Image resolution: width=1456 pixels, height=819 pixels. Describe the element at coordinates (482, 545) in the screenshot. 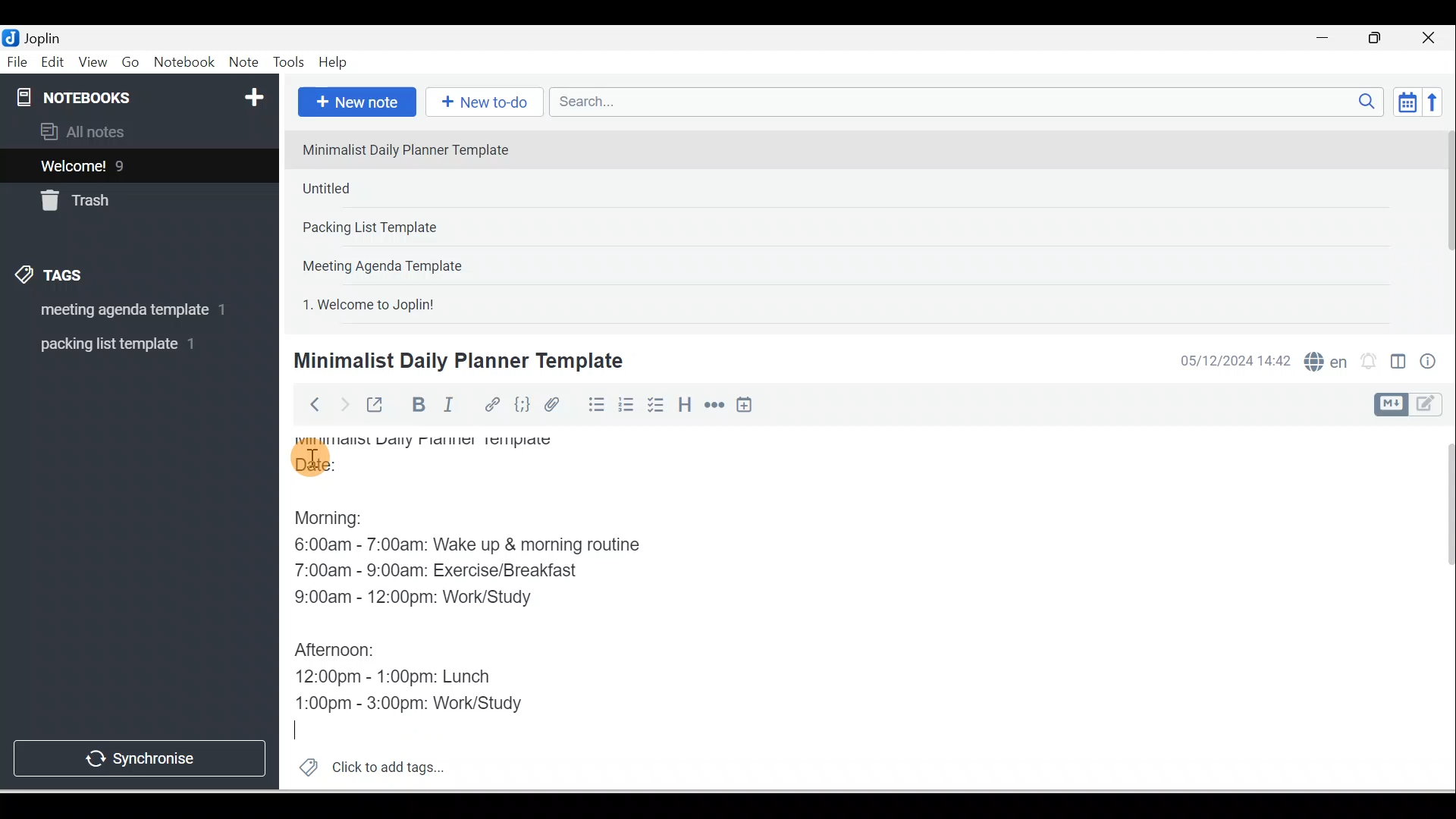

I see `6:00am - 7:00am: Wake up & morning routine` at that location.